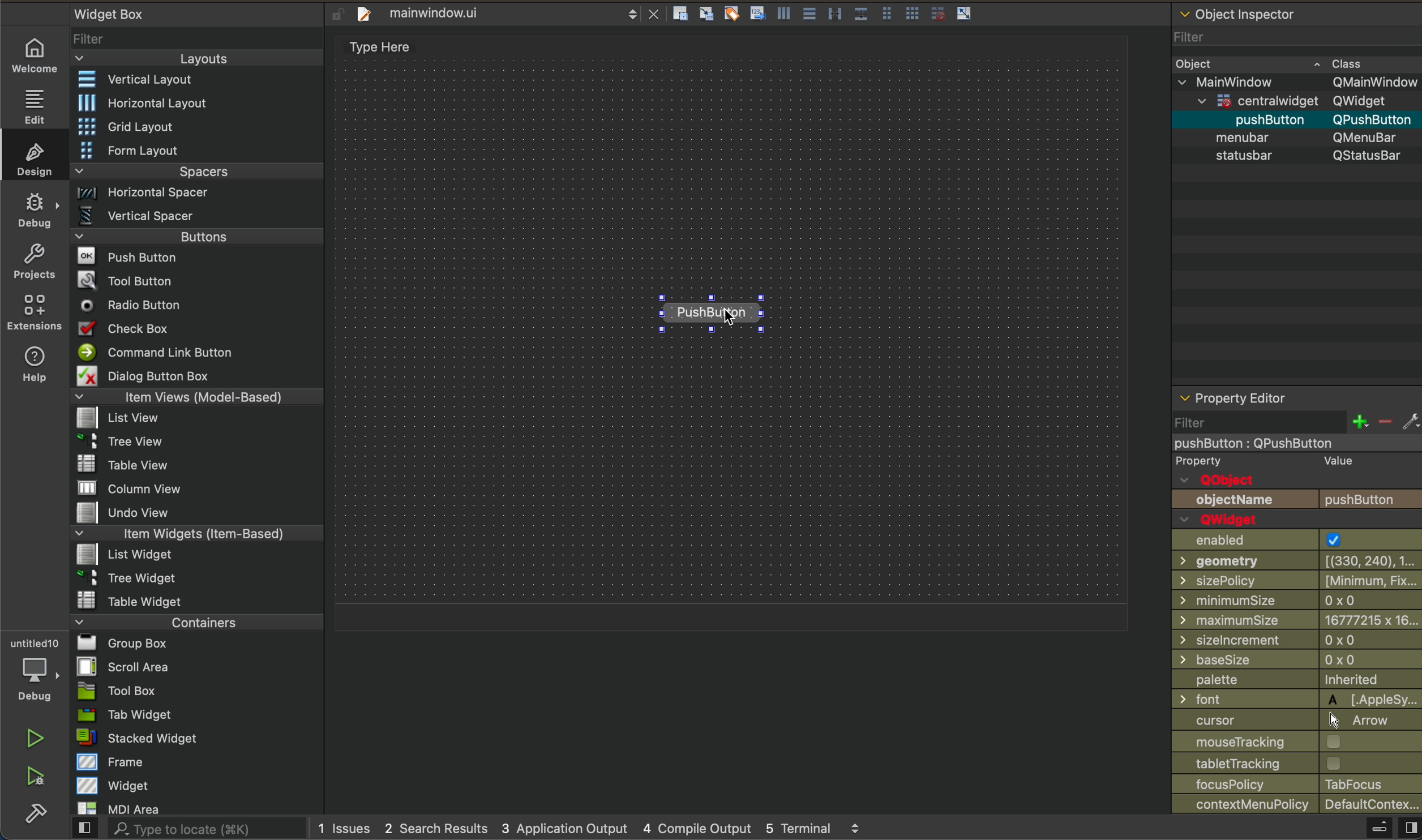 The image size is (1422, 840). What do you see at coordinates (198, 79) in the screenshot?
I see `vertical layout` at bounding box center [198, 79].